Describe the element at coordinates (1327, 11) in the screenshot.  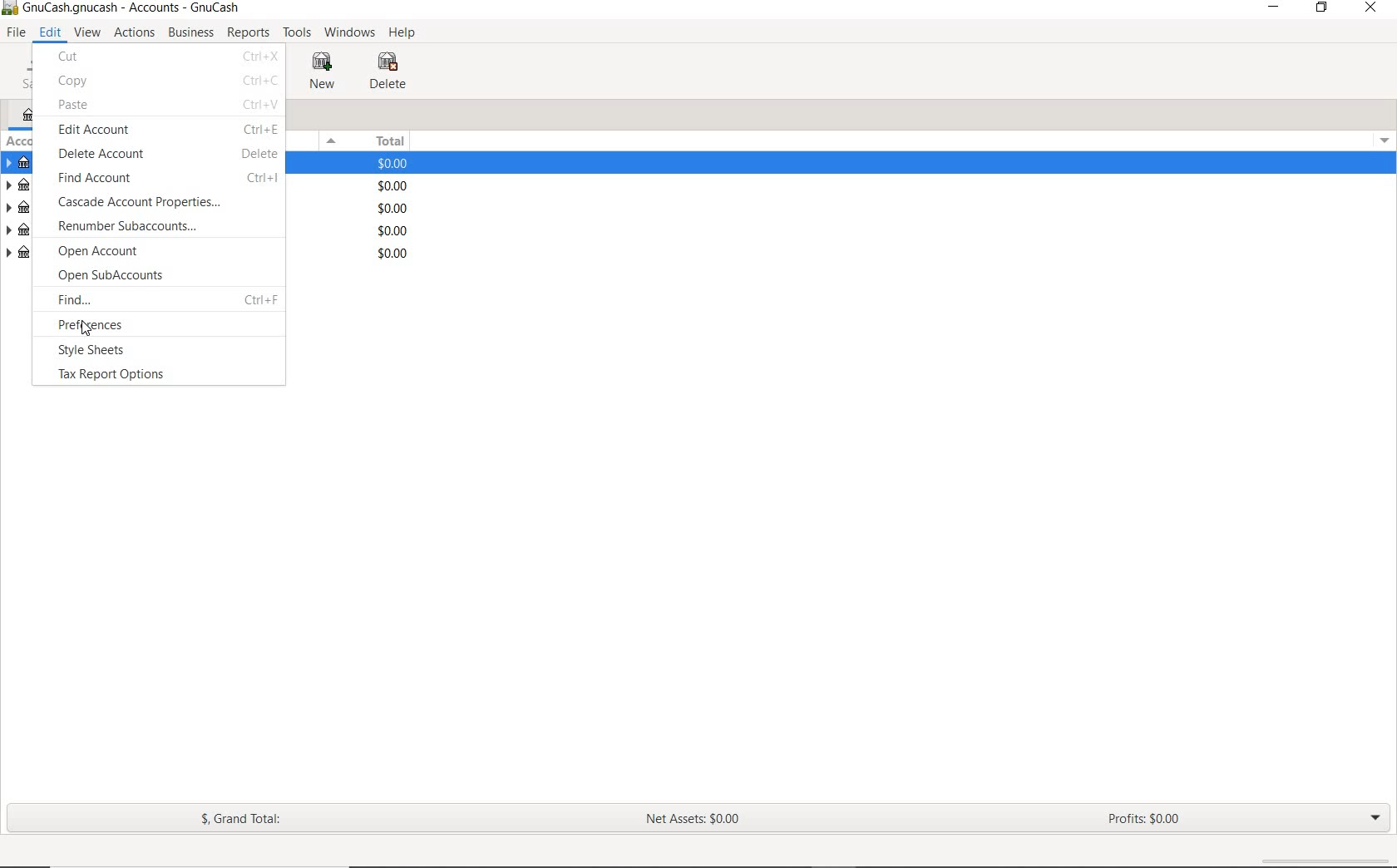
I see `RESTORE DOWN` at that location.